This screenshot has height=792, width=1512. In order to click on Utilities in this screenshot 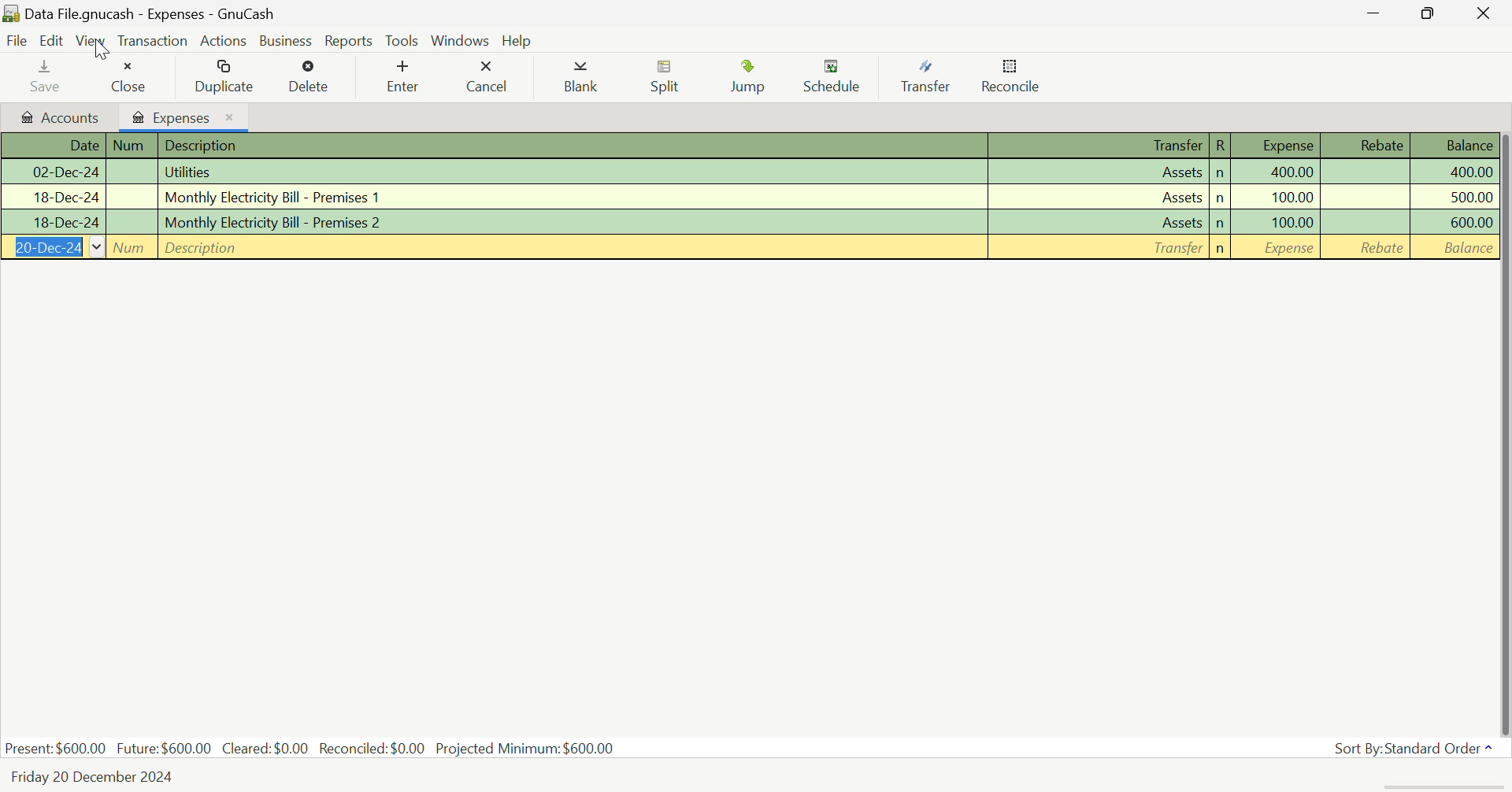, I will do `click(573, 172)`.